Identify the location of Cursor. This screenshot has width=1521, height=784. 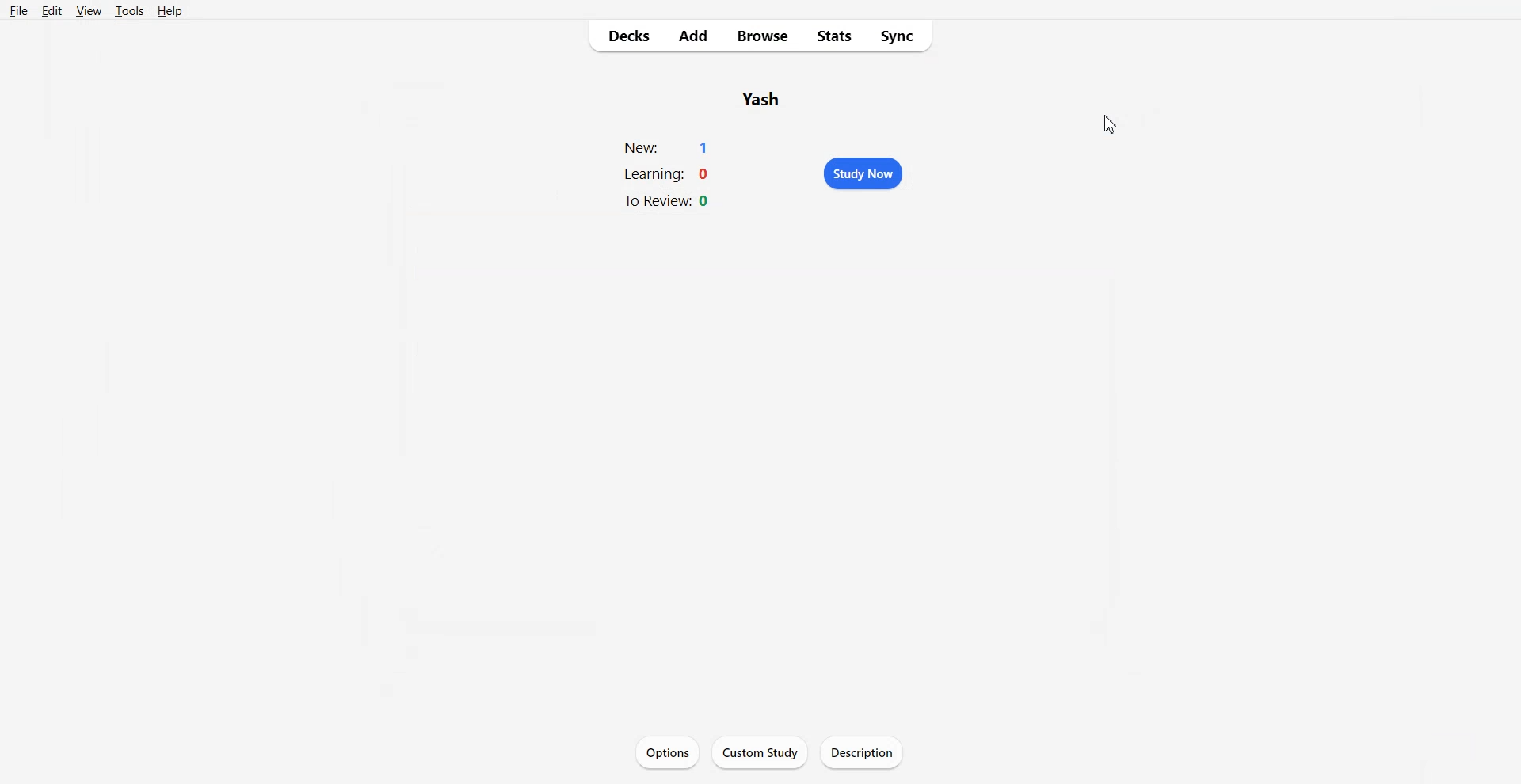
(1109, 124).